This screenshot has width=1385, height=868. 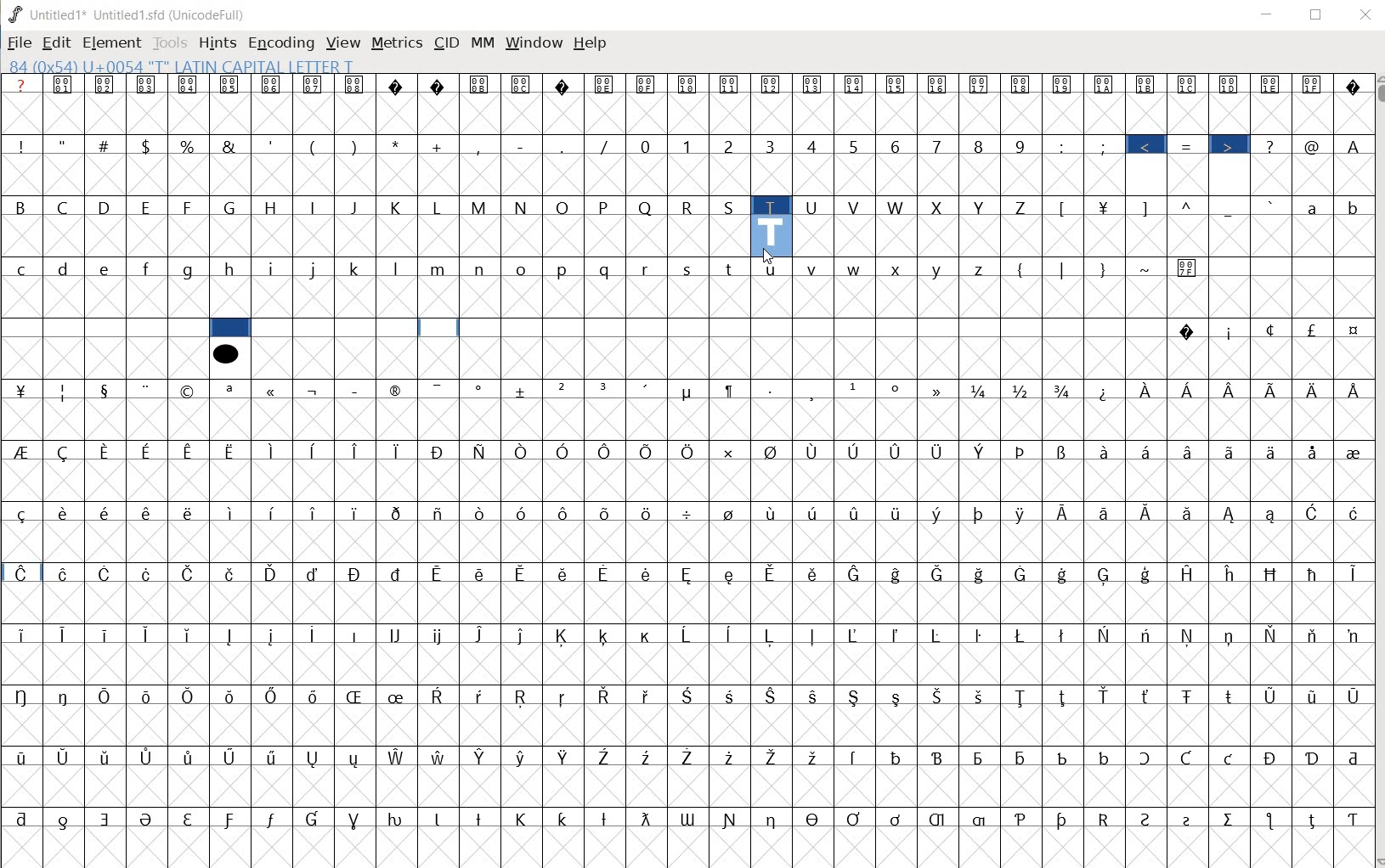 What do you see at coordinates (981, 84) in the screenshot?
I see `Symbol` at bounding box center [981, 84].